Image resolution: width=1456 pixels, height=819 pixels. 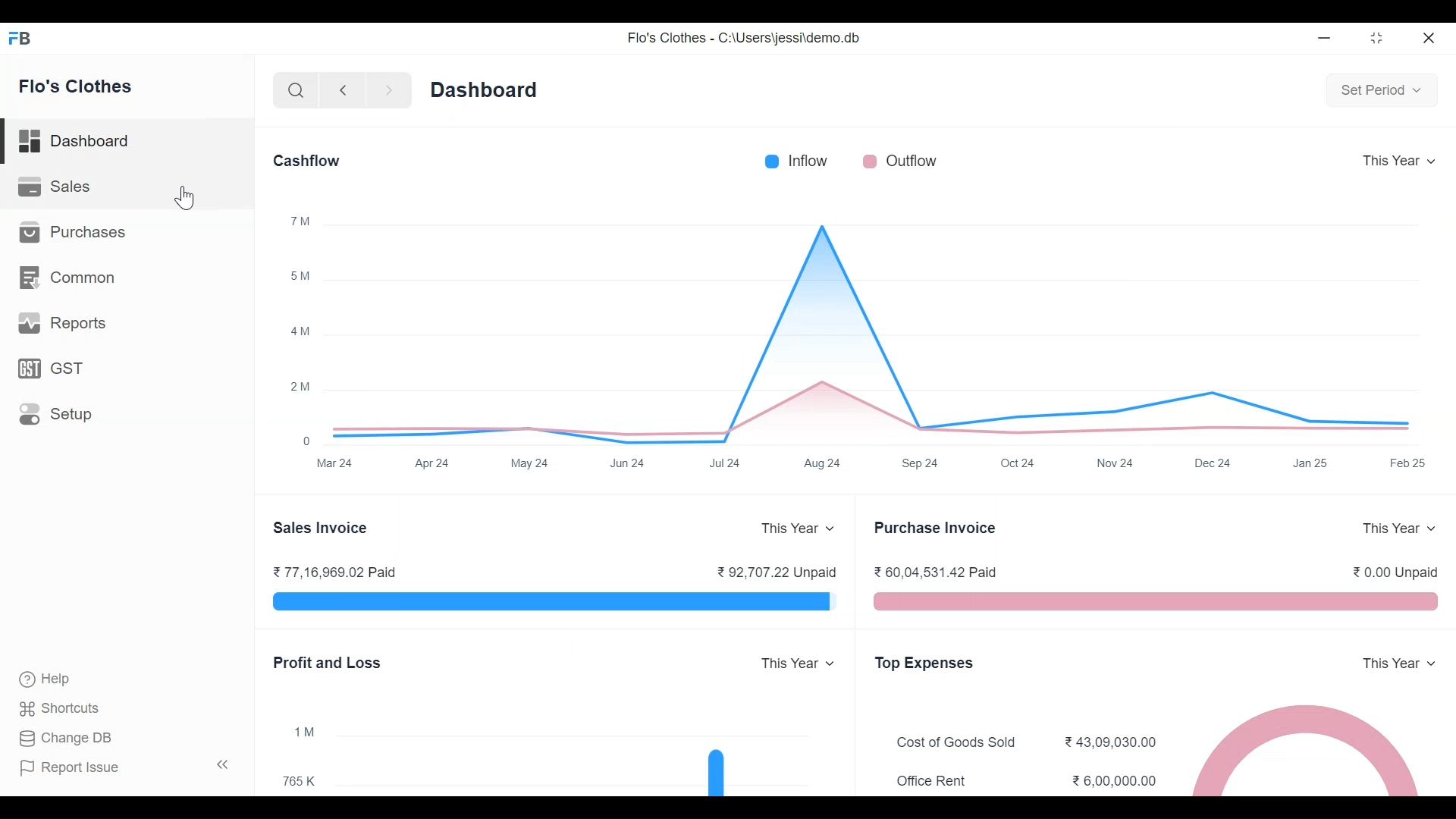 I want to click on Search, so click(x=296, y=91).